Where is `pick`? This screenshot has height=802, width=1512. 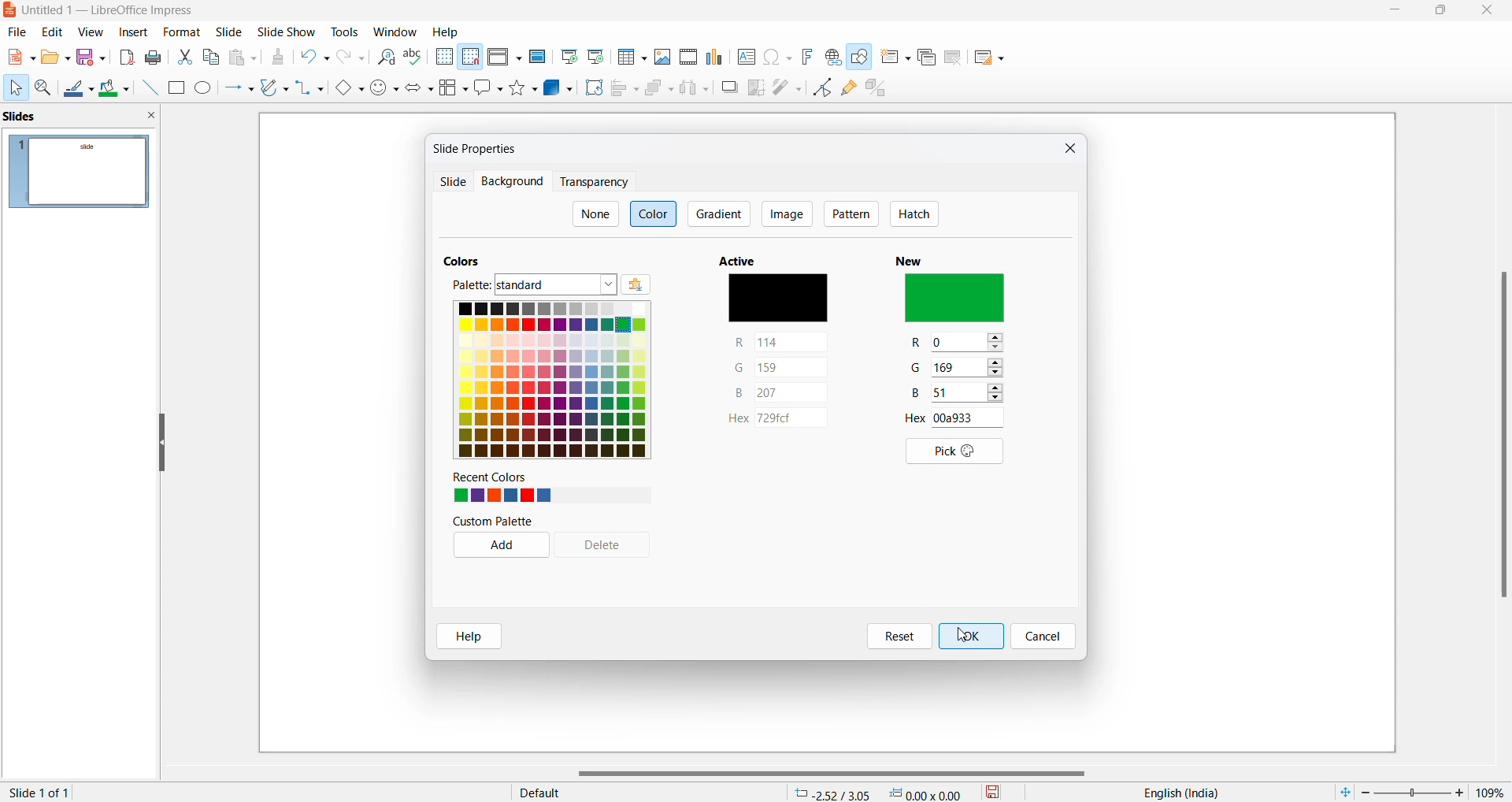 pick is located at coordinates (949, 452).